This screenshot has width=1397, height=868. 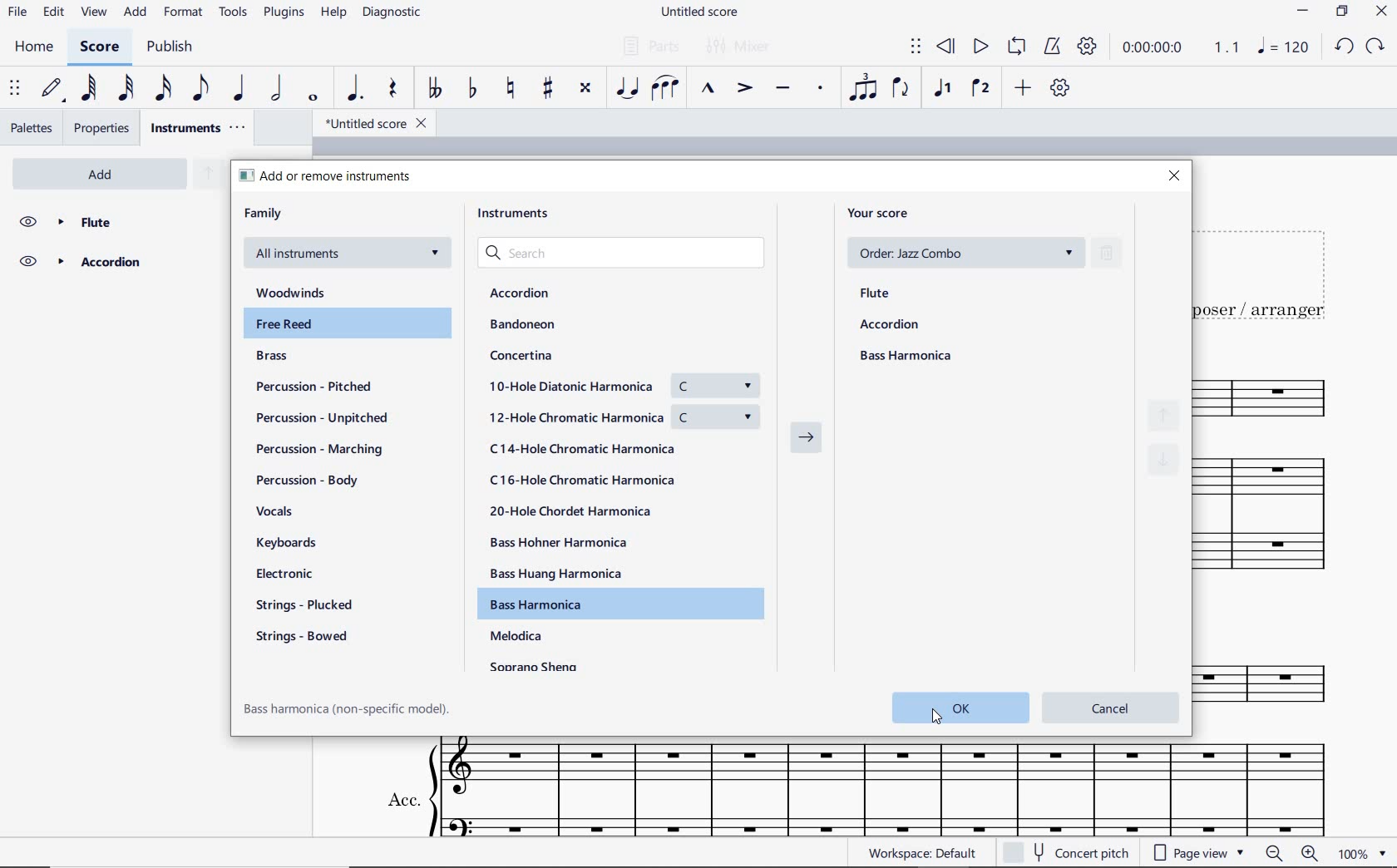 I want to click on accent, so click(x=744, y=89).